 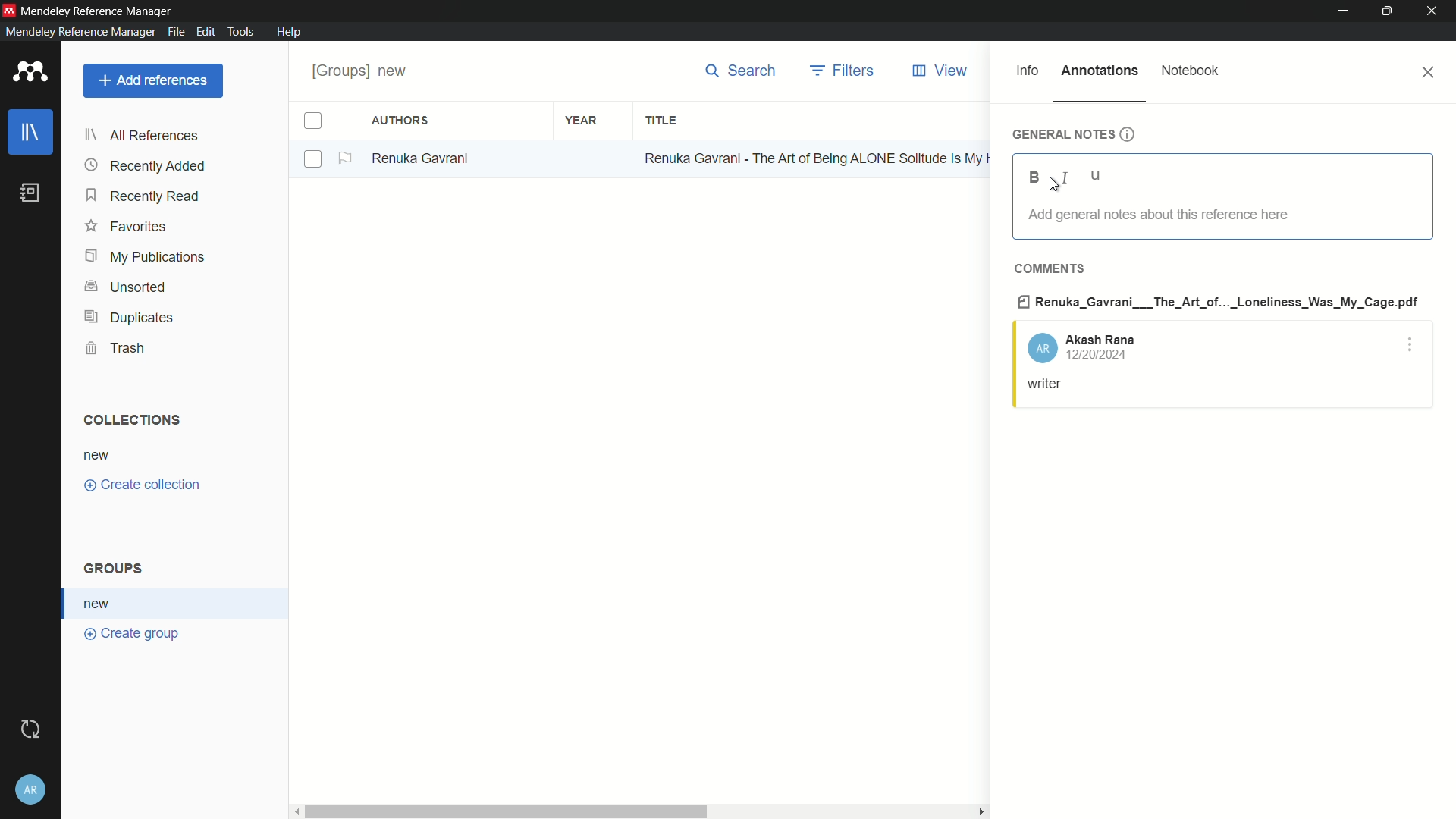 What do you see at coordinates (30, 193) in the screenshot?
I see `book` at bounding box center [30, 193].